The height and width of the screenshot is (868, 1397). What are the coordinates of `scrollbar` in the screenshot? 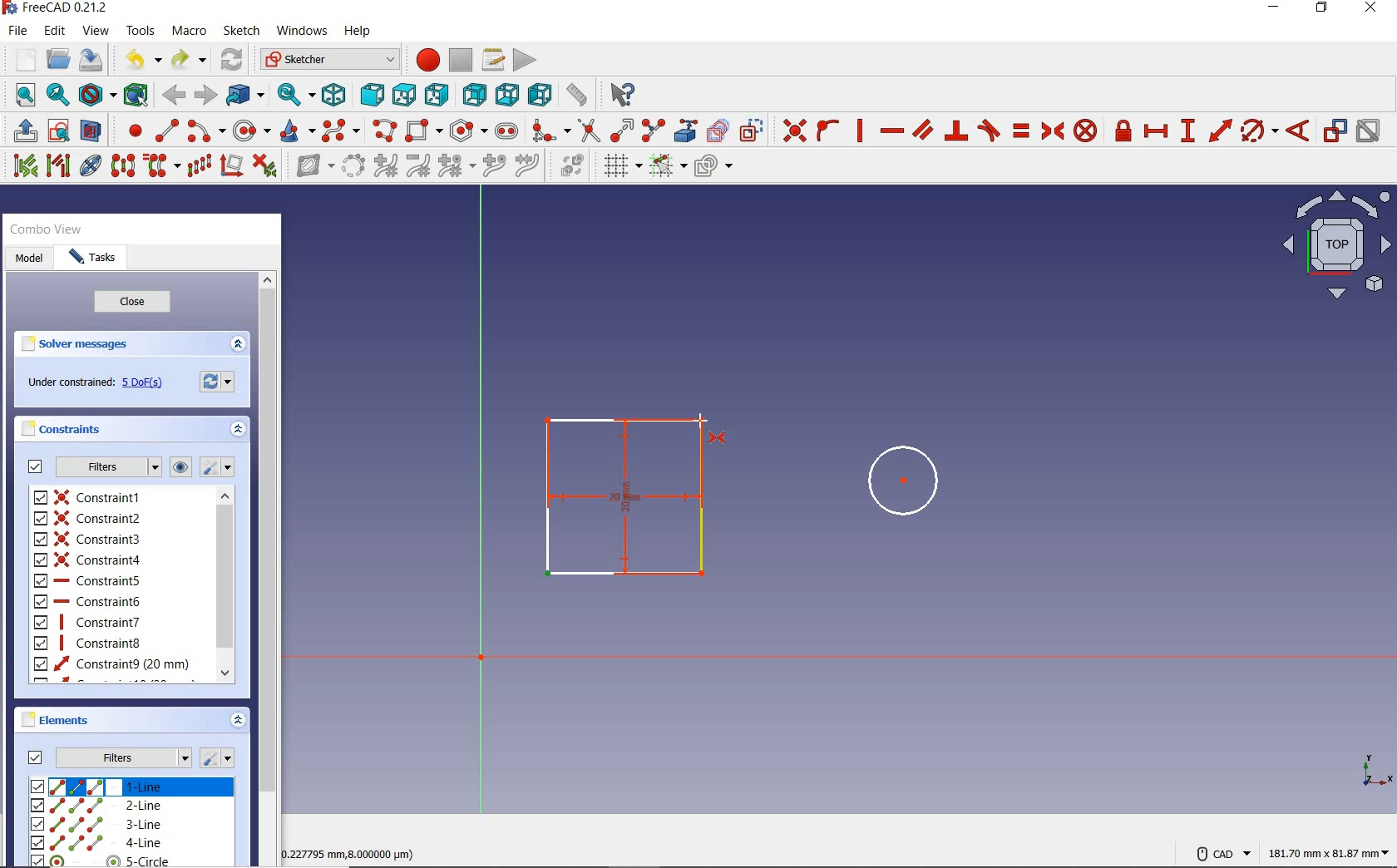 It's located at (225, 586).